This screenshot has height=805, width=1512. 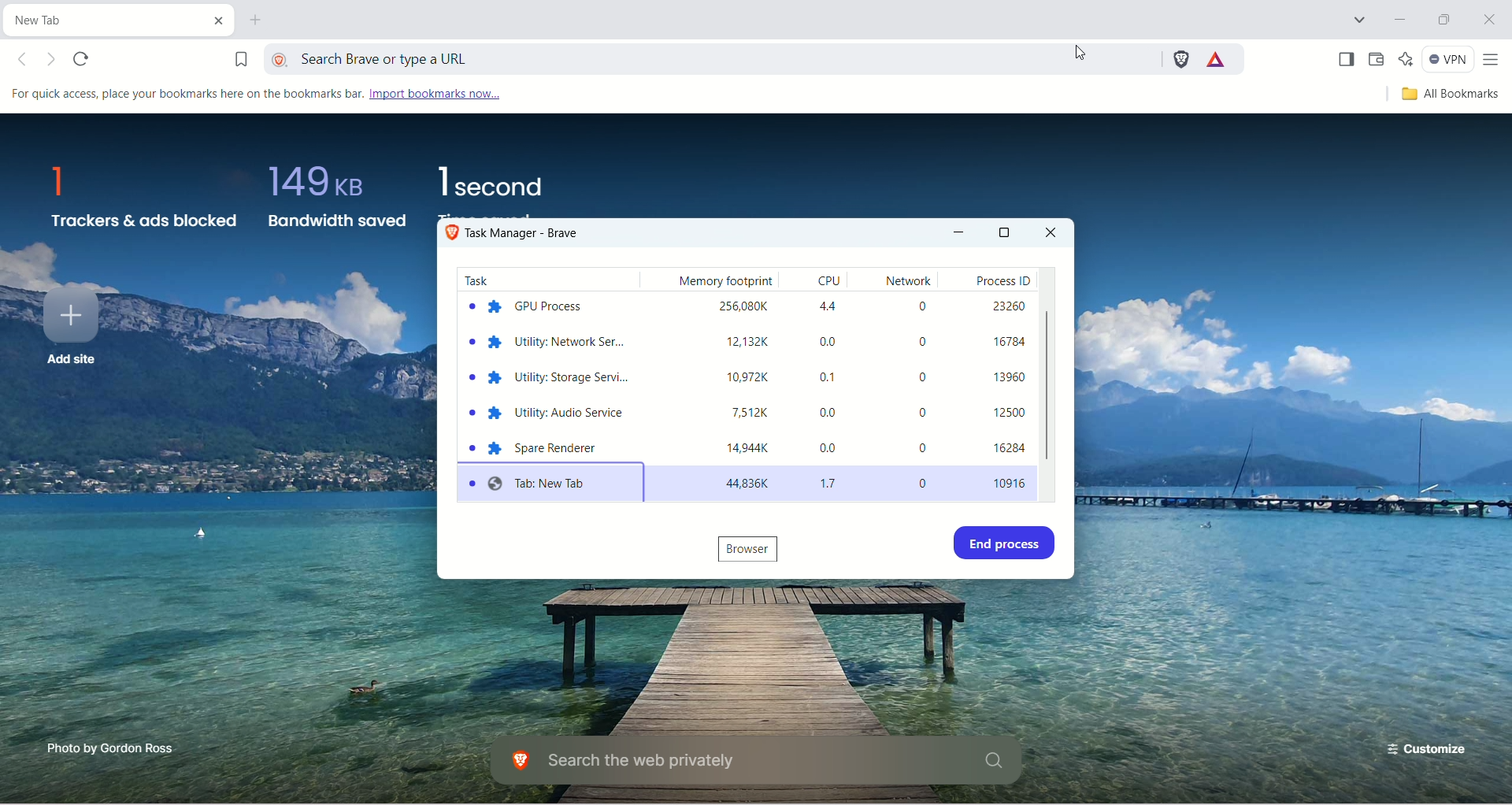 What do you see at coordinates (214, 18) in the screenshot?
I see `close tab` at bounding box center [214, 18].